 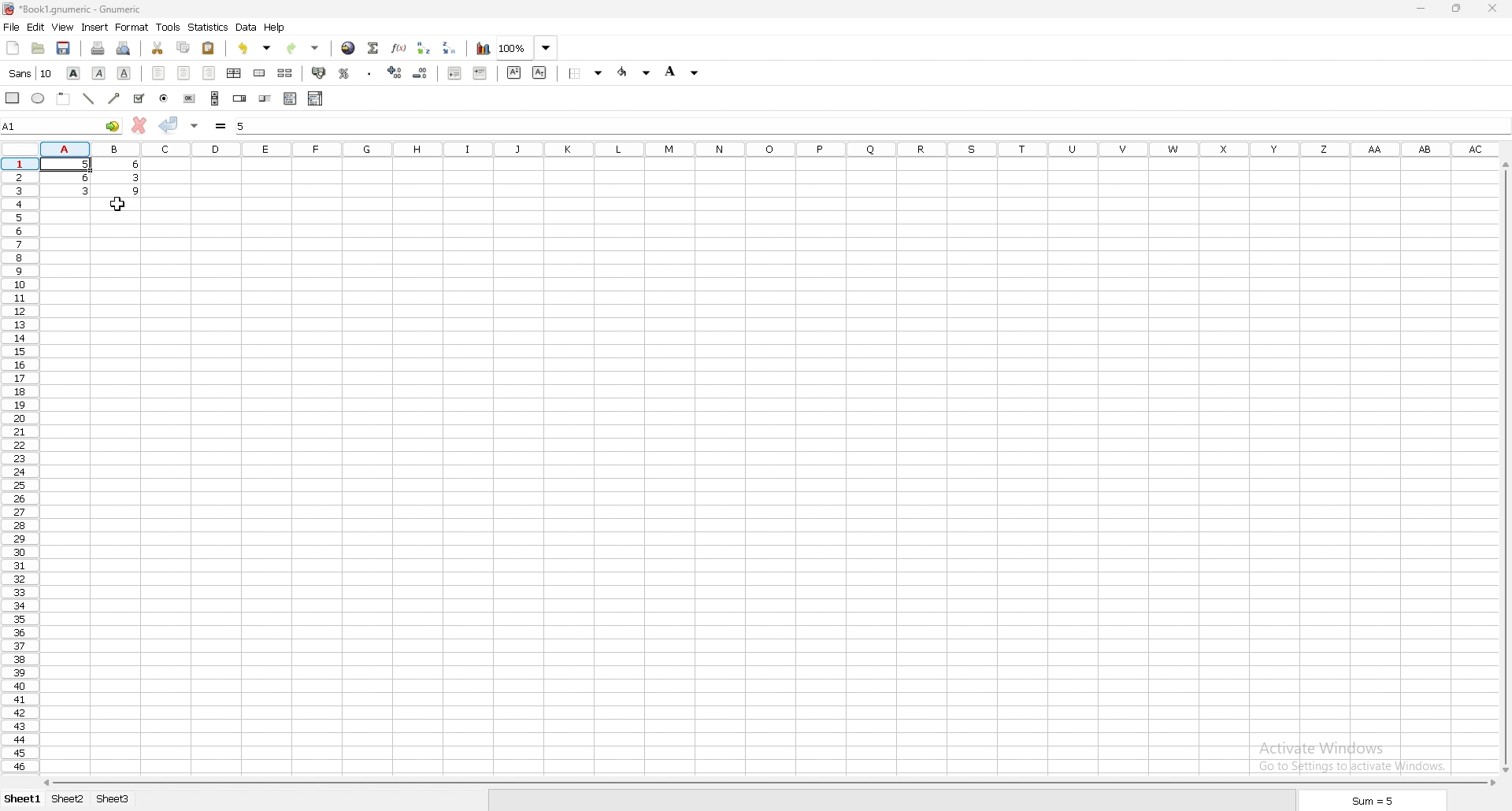 What do you see at coordinates (423, 47) in the screenshot?
I see `sort ascending` at bounding box center [423, 47].